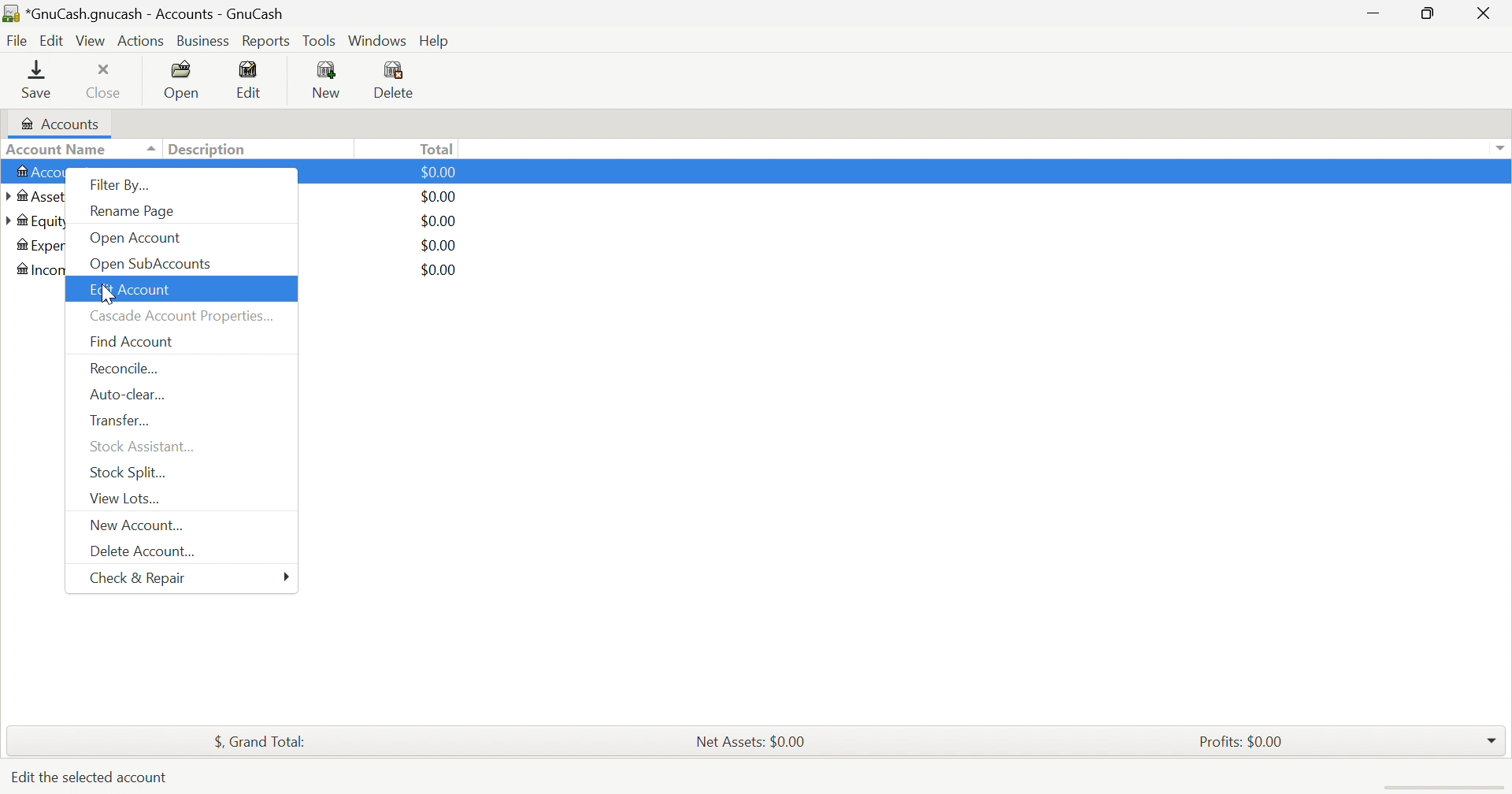 The width and height of the screenshot is (1512, 794). Describe the element at coordinates (125, 370) in the screenshot. I see `Reconcile...` at that location.